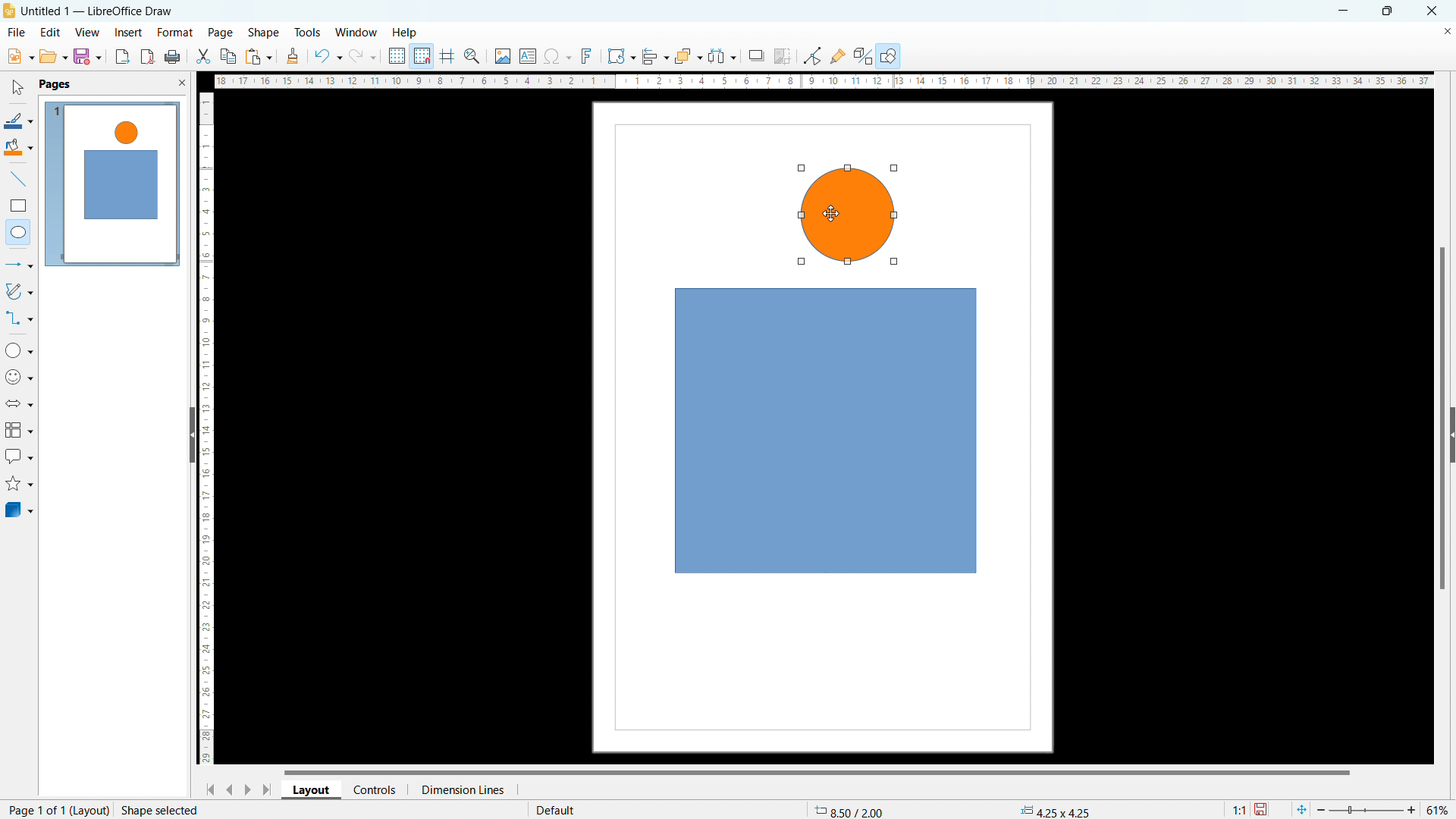 This screenshot has height=819, width=1456. What do you see at coordinates (15, 33) in the screenshot?
I see `file` at bounding box center [15, 33].